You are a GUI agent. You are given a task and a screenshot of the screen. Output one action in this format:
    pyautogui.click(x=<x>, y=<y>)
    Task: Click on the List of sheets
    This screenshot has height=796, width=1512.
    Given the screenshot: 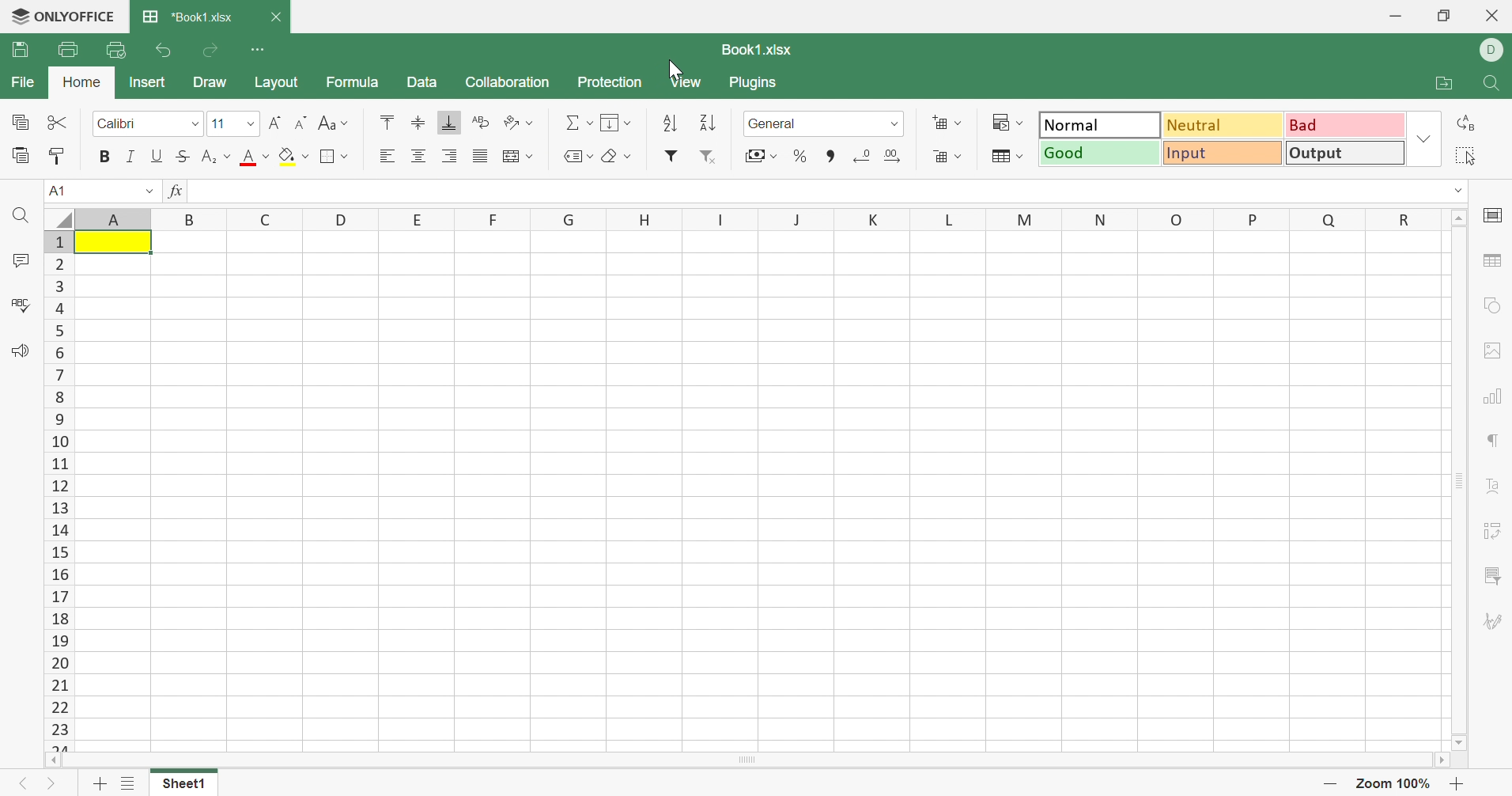 What is the action you would take?
    pyautogui.click(x=127, y=783)
    